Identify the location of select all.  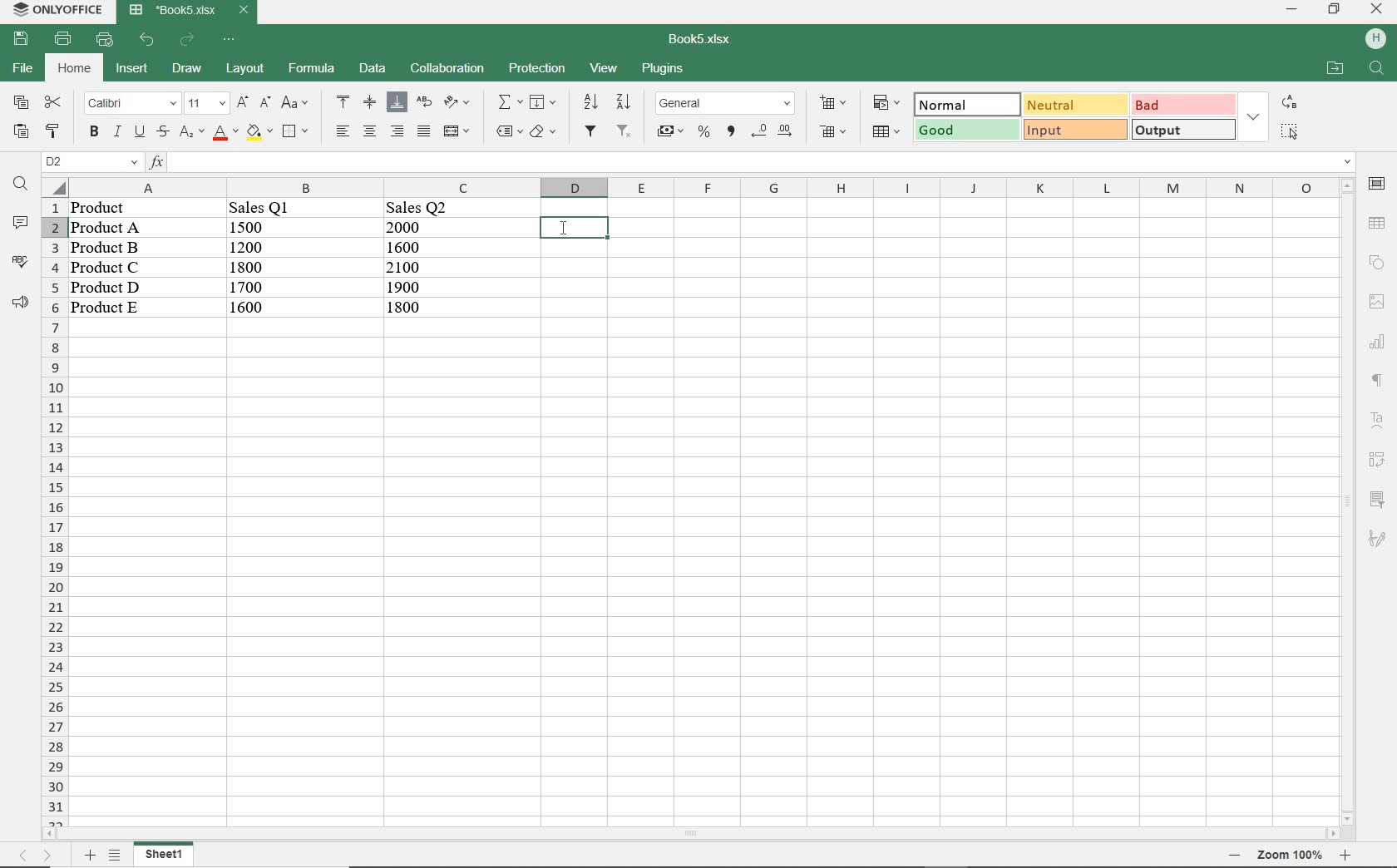
(1290, 133).